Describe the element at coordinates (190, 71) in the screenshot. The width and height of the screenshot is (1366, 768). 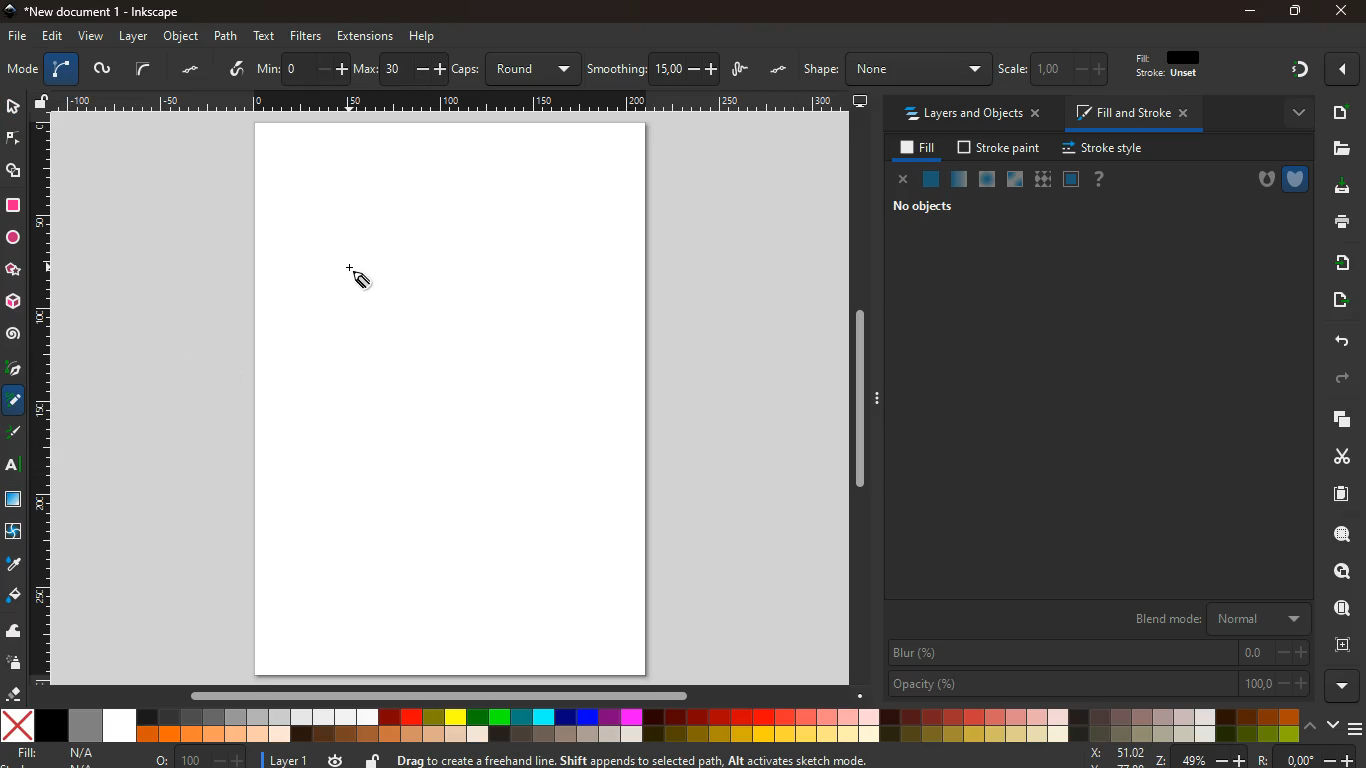
I see `tilt` at that location.